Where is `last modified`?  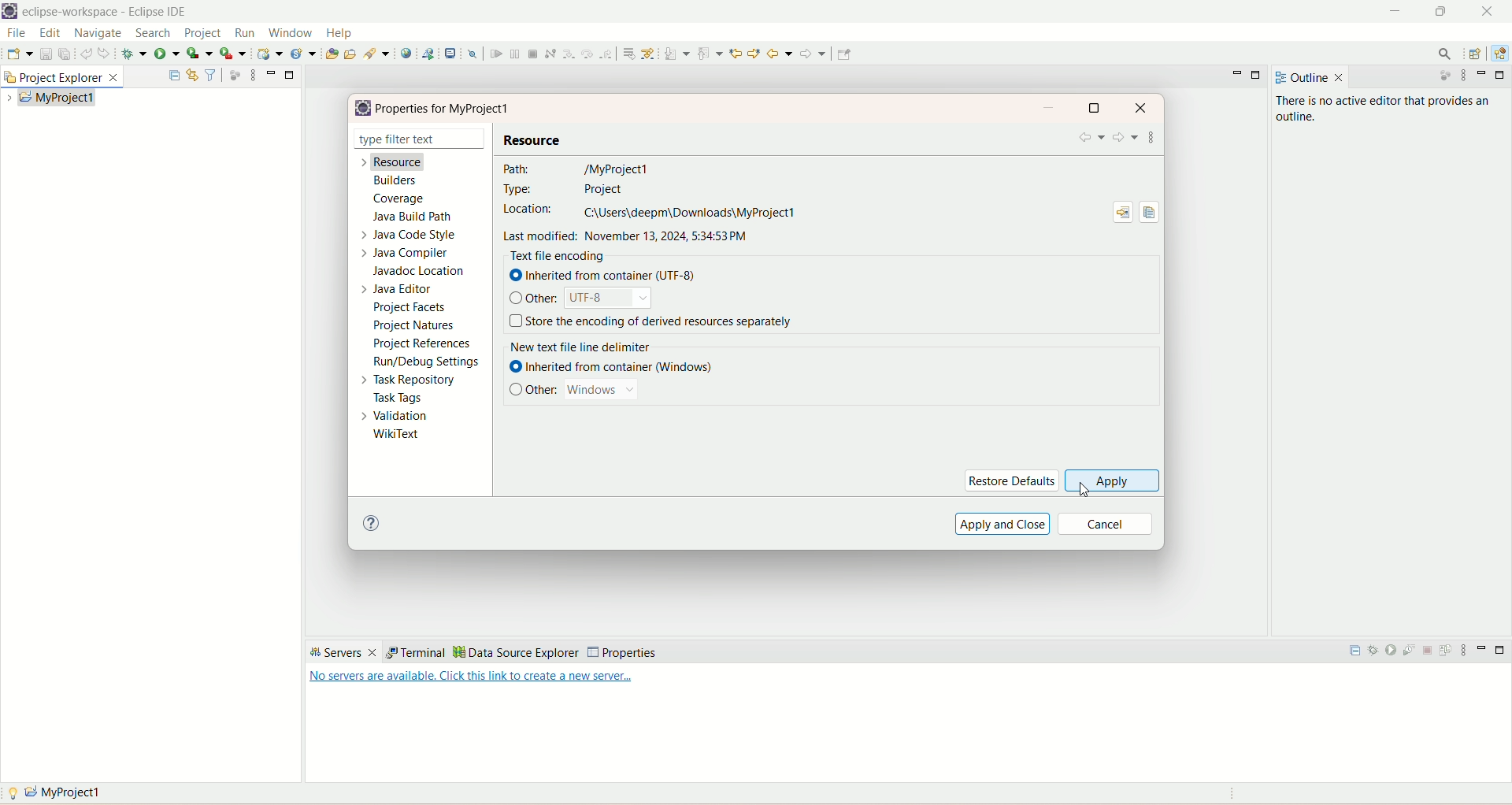
last modified is located at coordinates (630, 237).